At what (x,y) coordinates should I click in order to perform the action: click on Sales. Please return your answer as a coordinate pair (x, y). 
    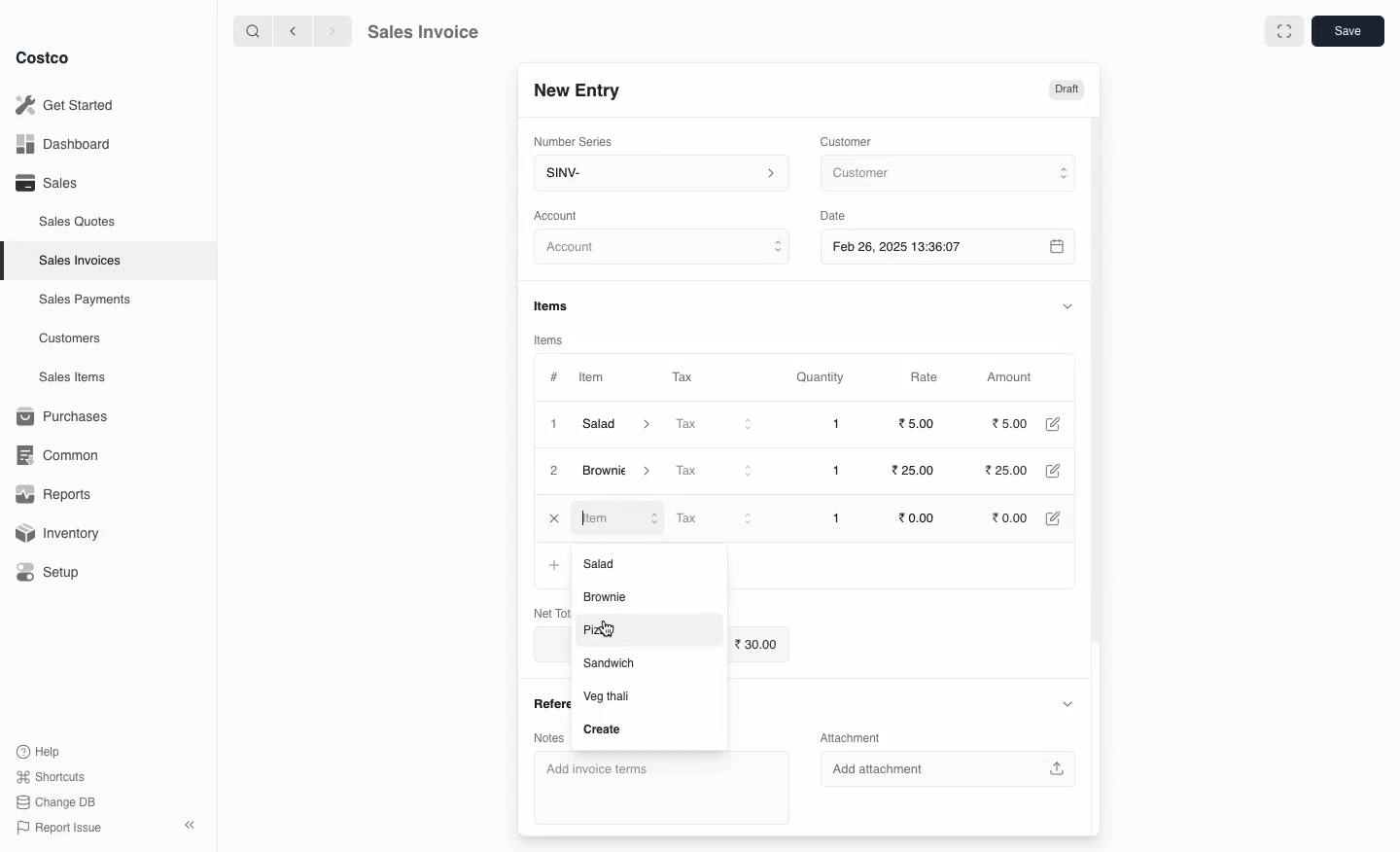
    Looking at the image, I should click on (46, 183).